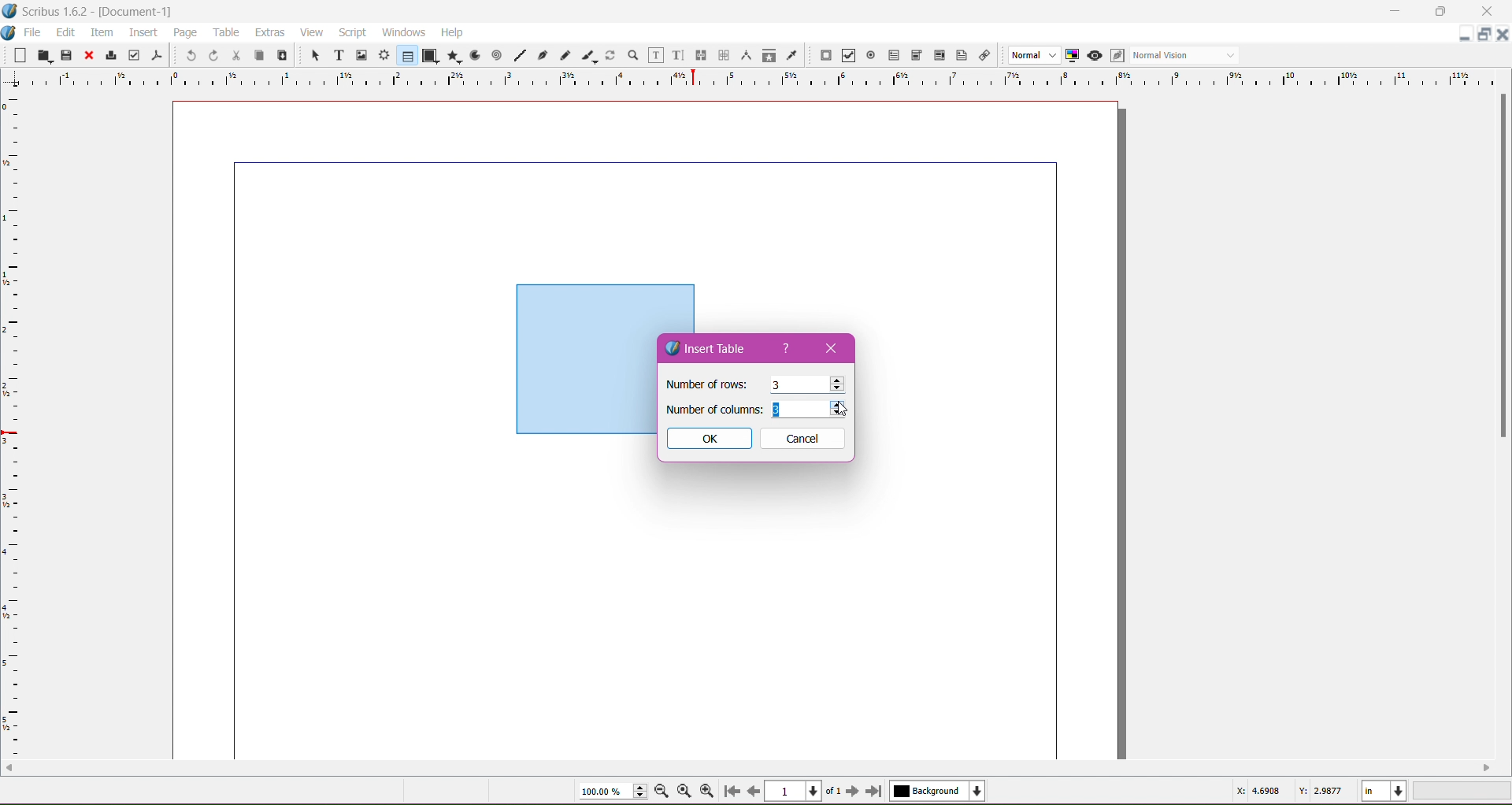 Image resolution: width=1512 pixels, height=805 pixels. I want to click on Previous page, so click(753, 790).